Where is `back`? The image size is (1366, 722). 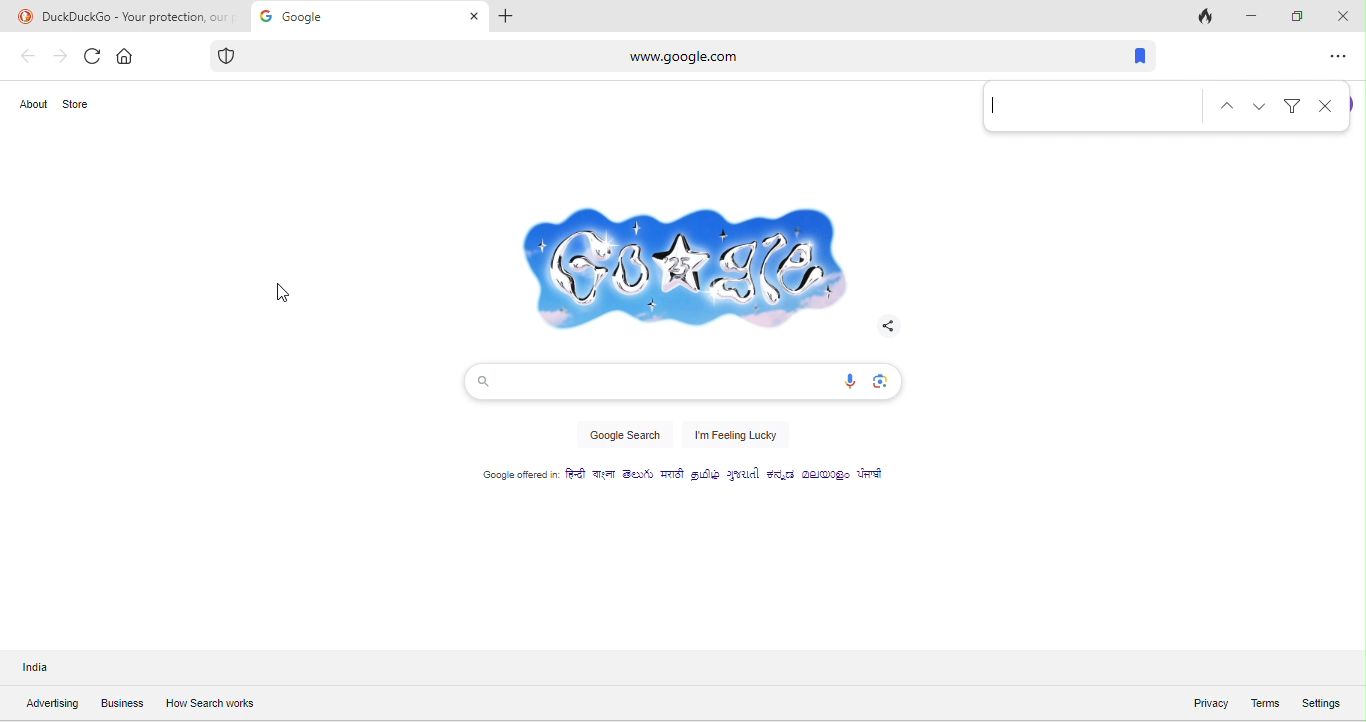
back is located at coordinates (28, 56).